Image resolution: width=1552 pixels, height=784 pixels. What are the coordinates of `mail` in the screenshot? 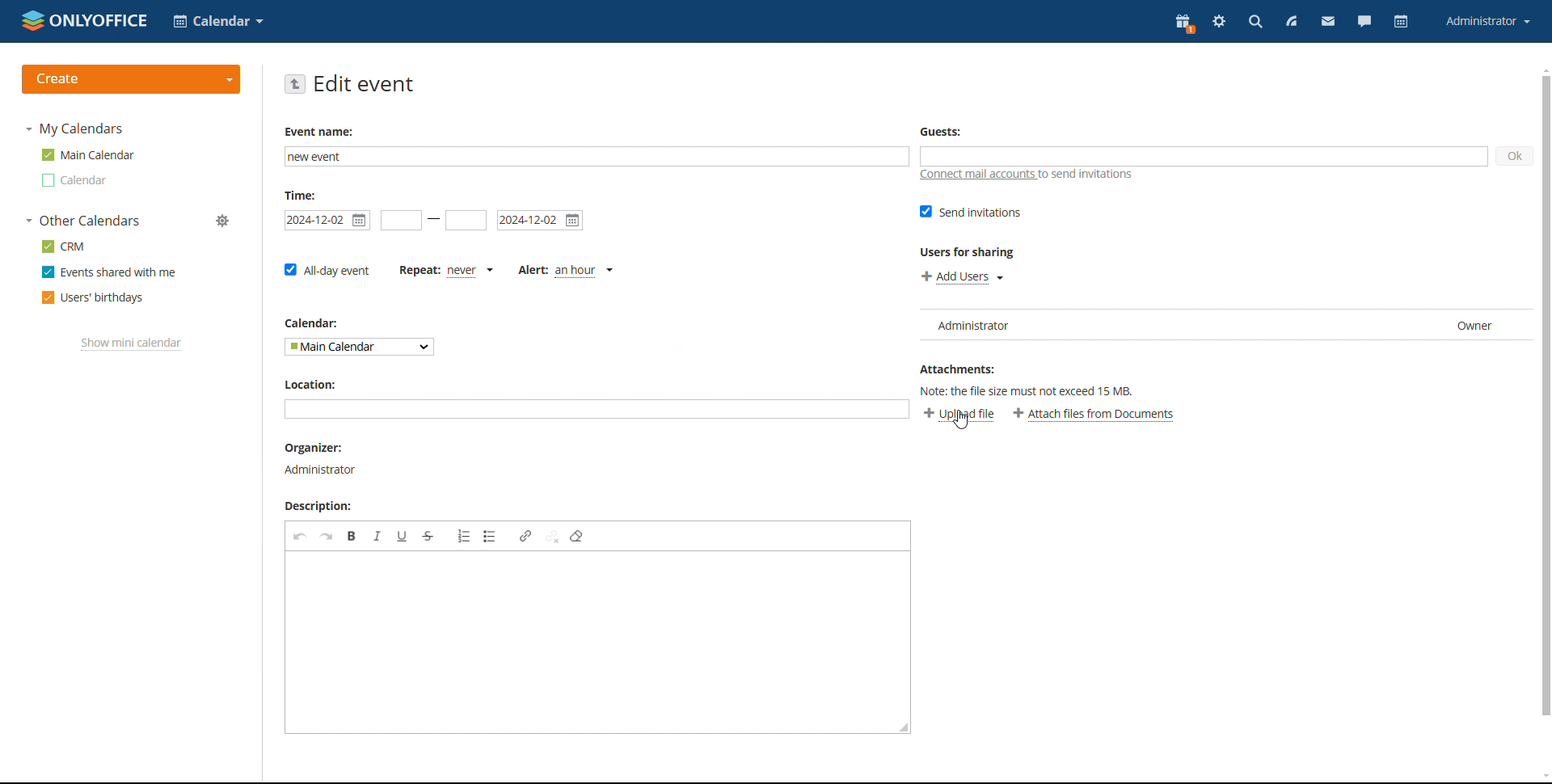 It's located at (1328, 22).